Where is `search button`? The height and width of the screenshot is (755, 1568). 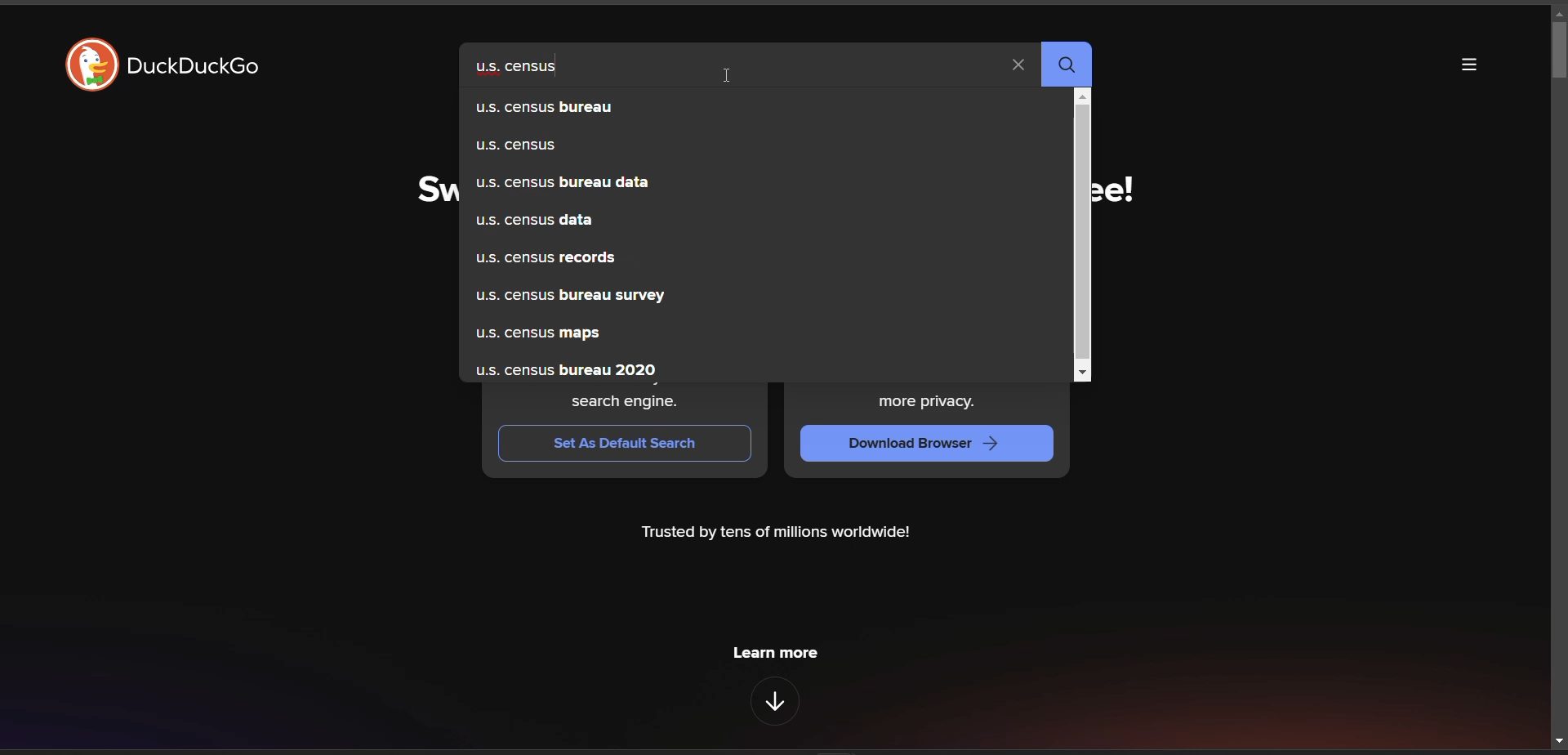
search button is located at coordinates (1067, 65).